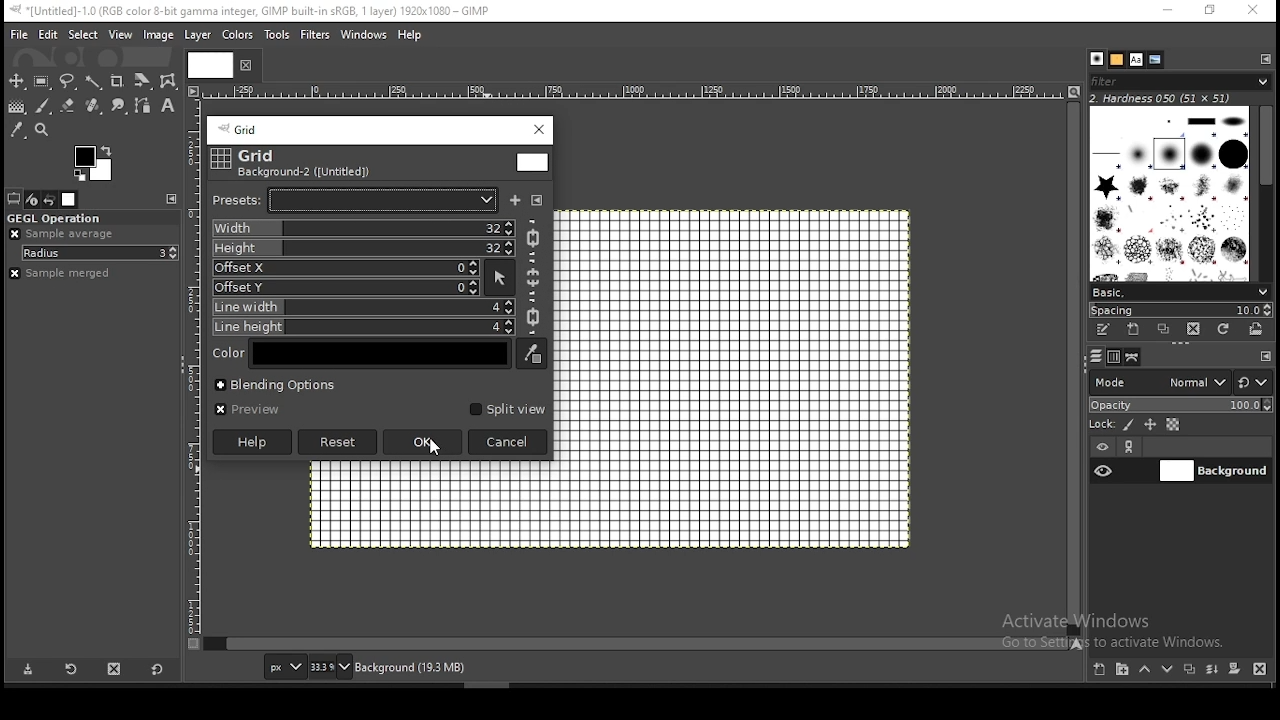  I want to click on create a new brush, so click(1135, 330).